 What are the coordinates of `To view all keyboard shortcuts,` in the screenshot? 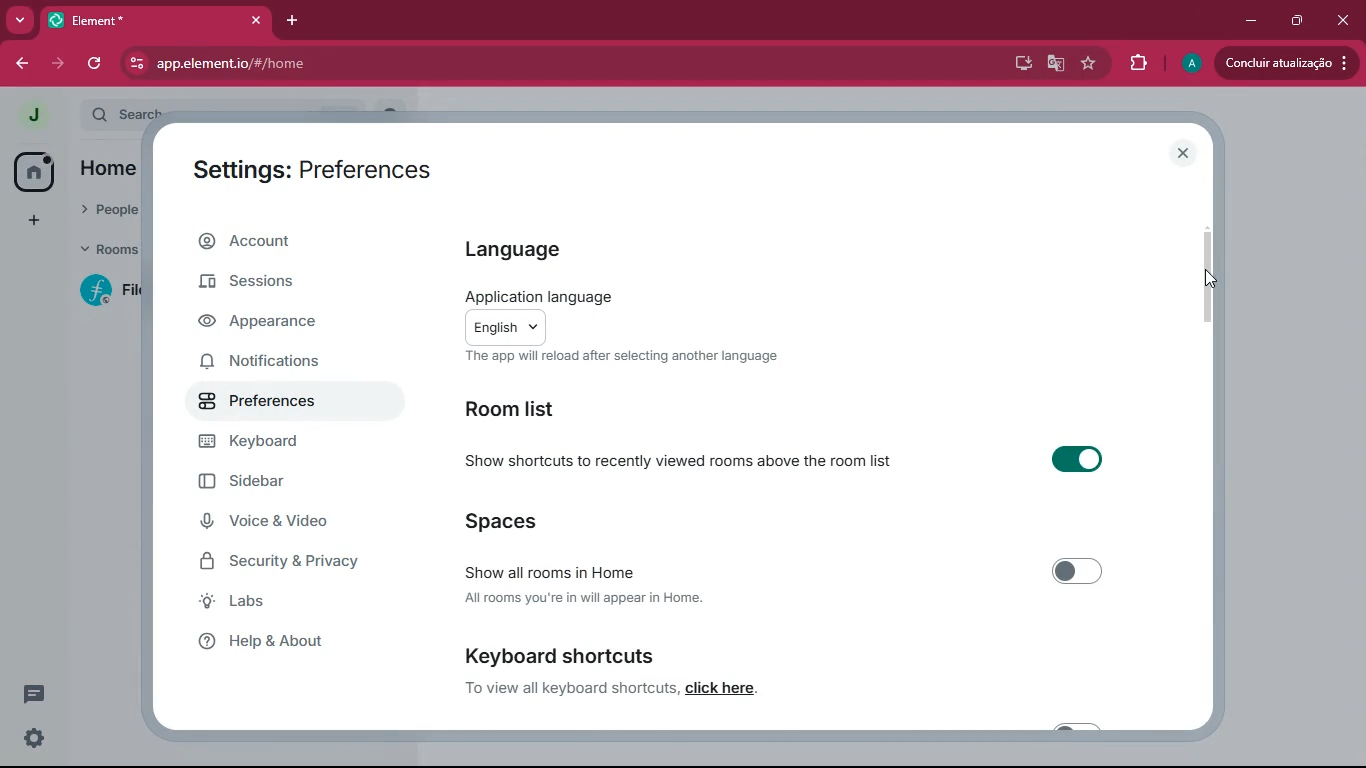 It's located at (567, 690).